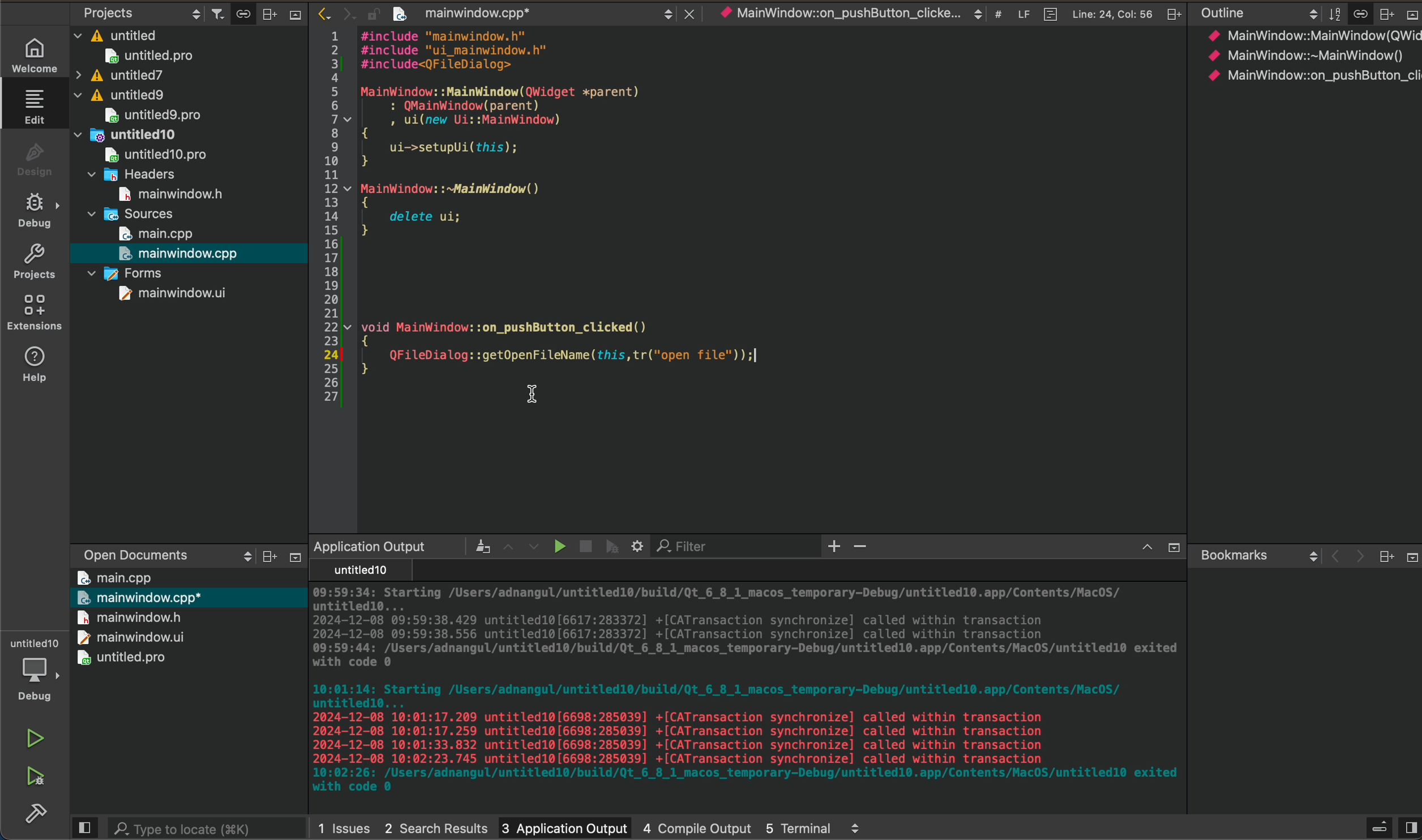 This screenshot has height=840, width=1422. What do you see at coordinates (1301, 35) in the screenshot?
I see `MainWindow::MainWindow (Q` at bounding box center [1301, 35].